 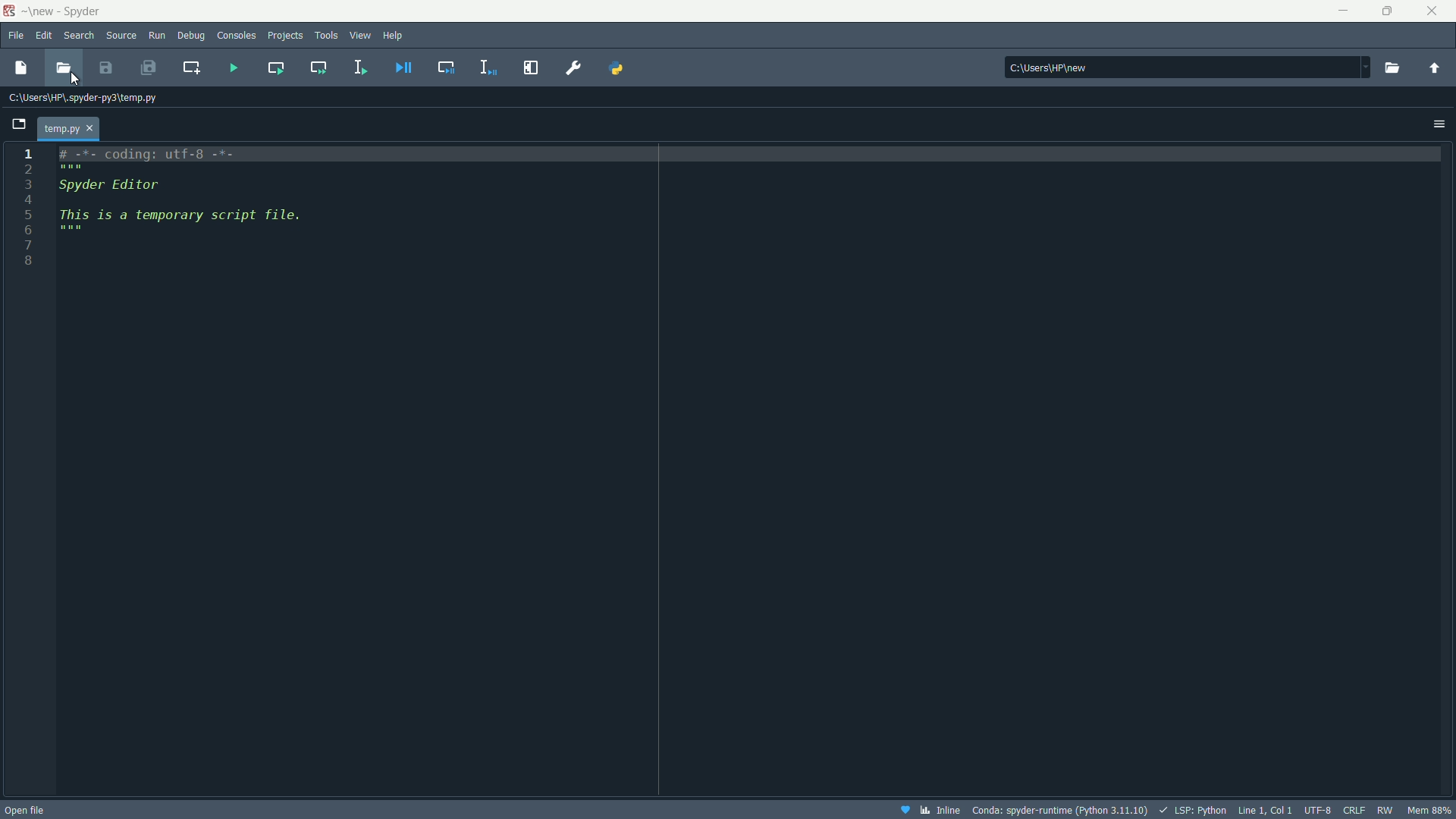 What do you see at coordinates (394, 36) in the screenshot?
I see `Help menu` at bounding box center [394, 36].